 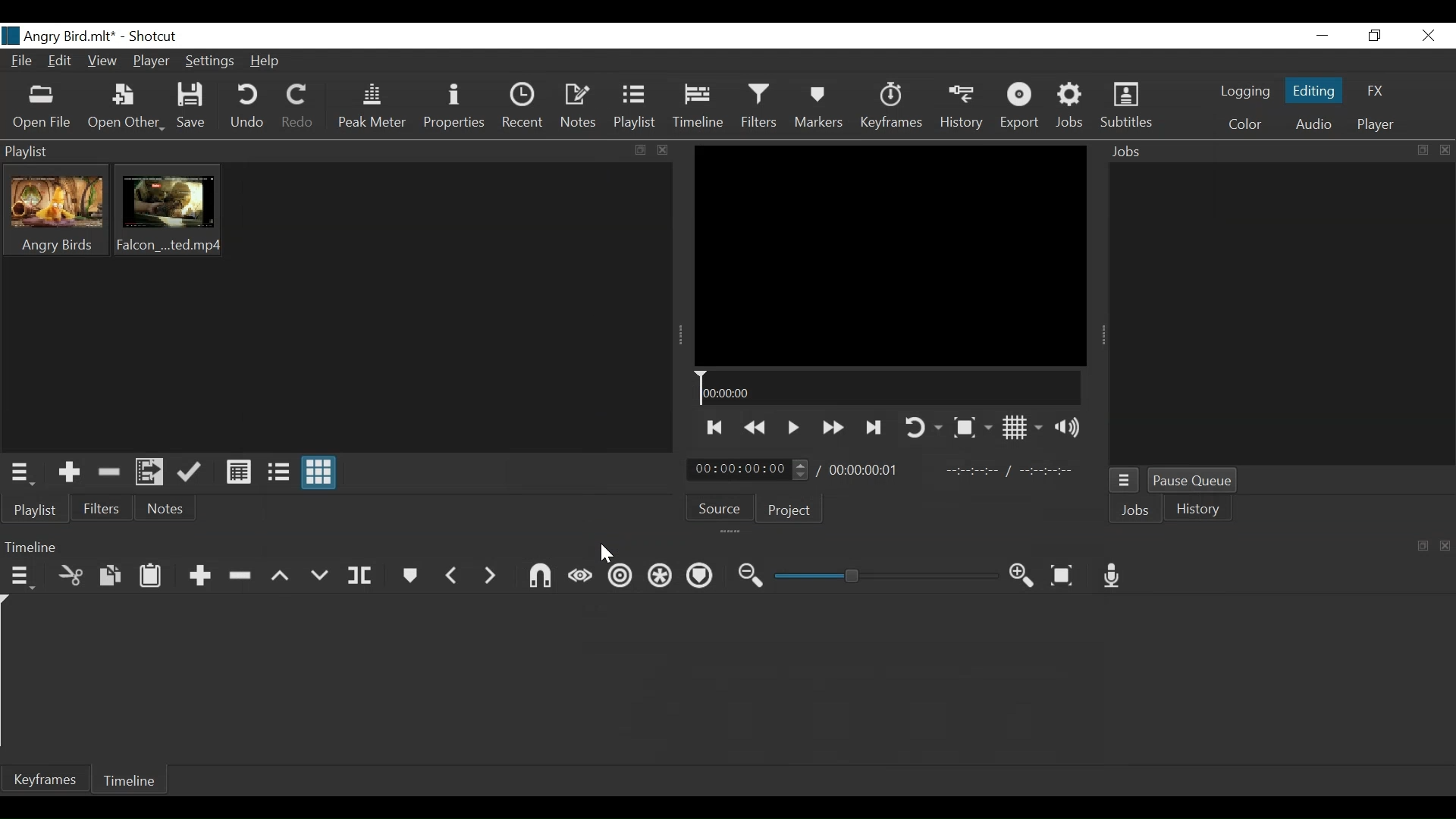 What do you see at coordinates (794, 510) in the screenshot?
I see `Project` at bounding box center [794, 510].